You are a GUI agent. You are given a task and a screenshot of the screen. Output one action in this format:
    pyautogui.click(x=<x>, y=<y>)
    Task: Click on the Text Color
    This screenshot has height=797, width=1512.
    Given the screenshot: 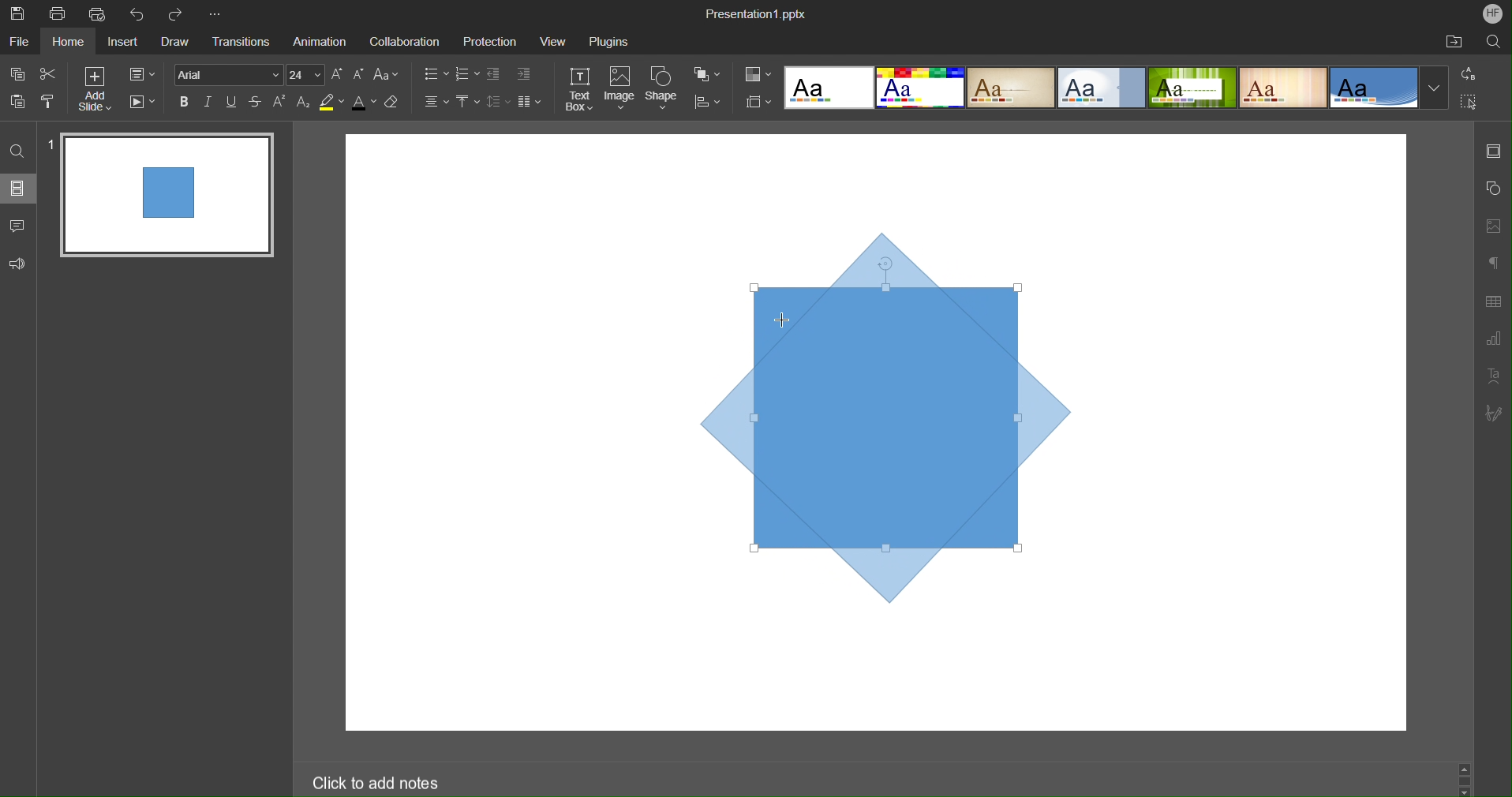 What is the action you would take?
    pyautogui.click(x=364, y=102)
    